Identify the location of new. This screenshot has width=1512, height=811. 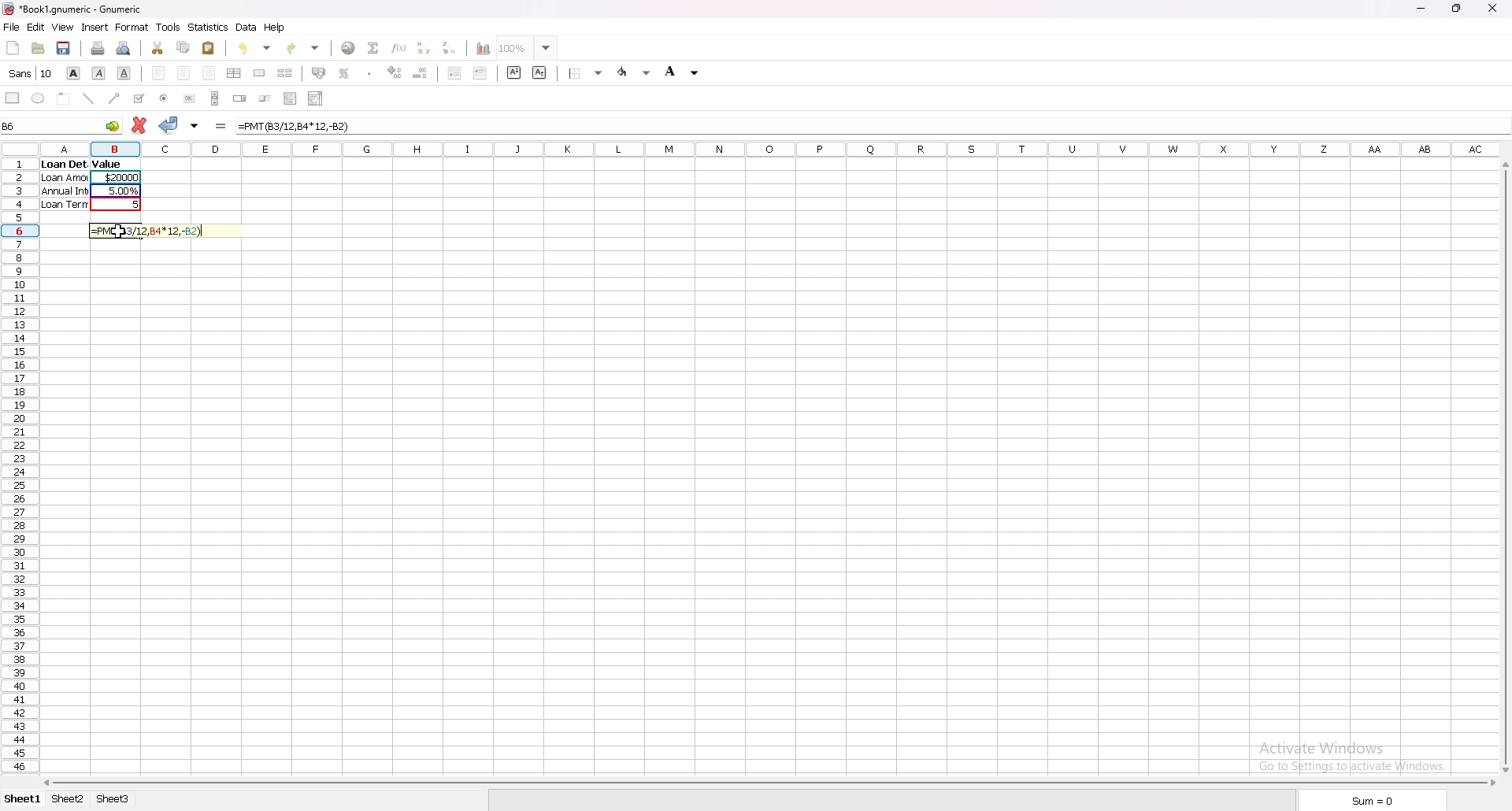
(13, 47).